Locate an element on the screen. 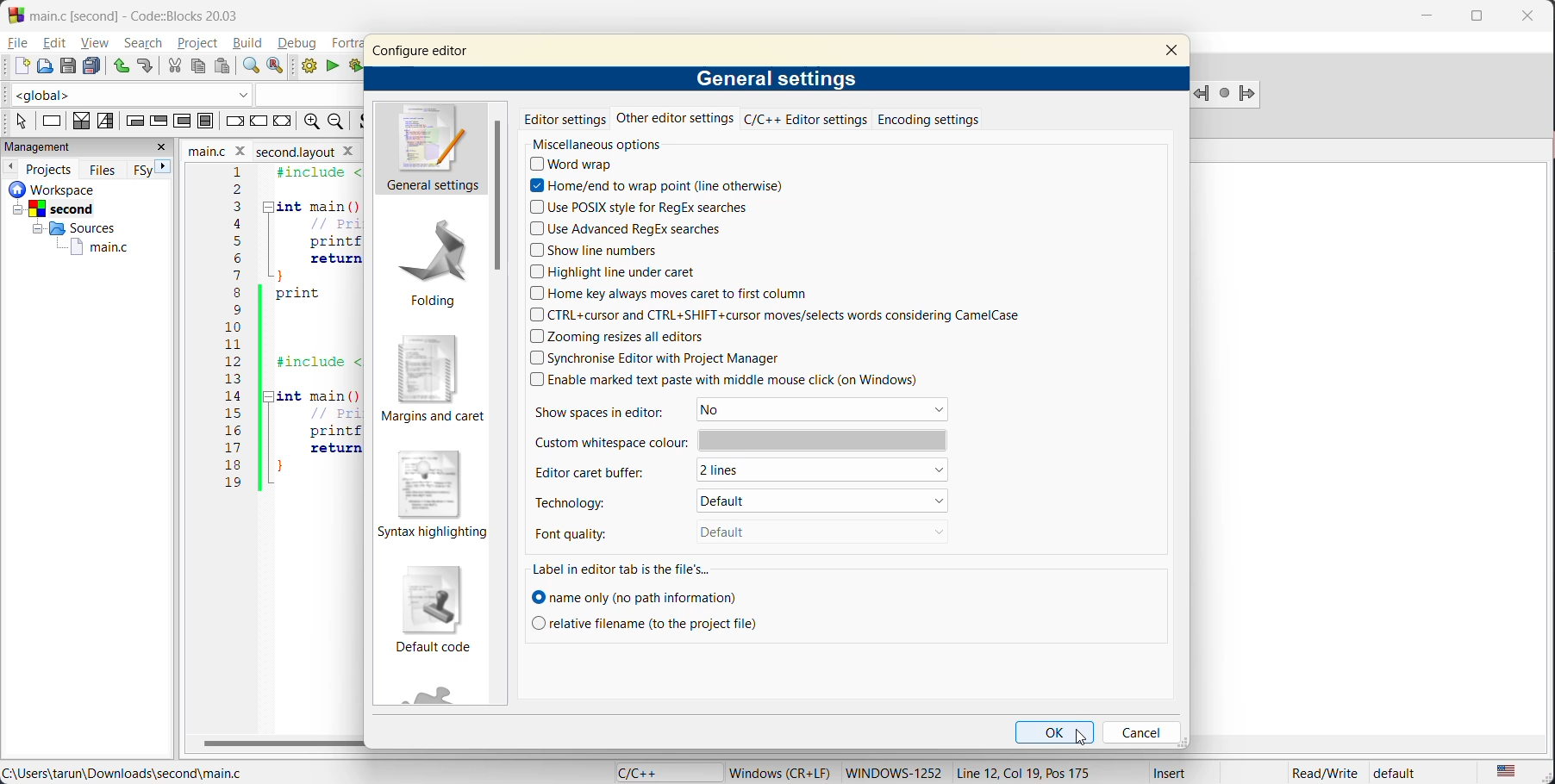 This screenshot has height=784, width=1555. code completion compiler is located at coordinates (177, 94).